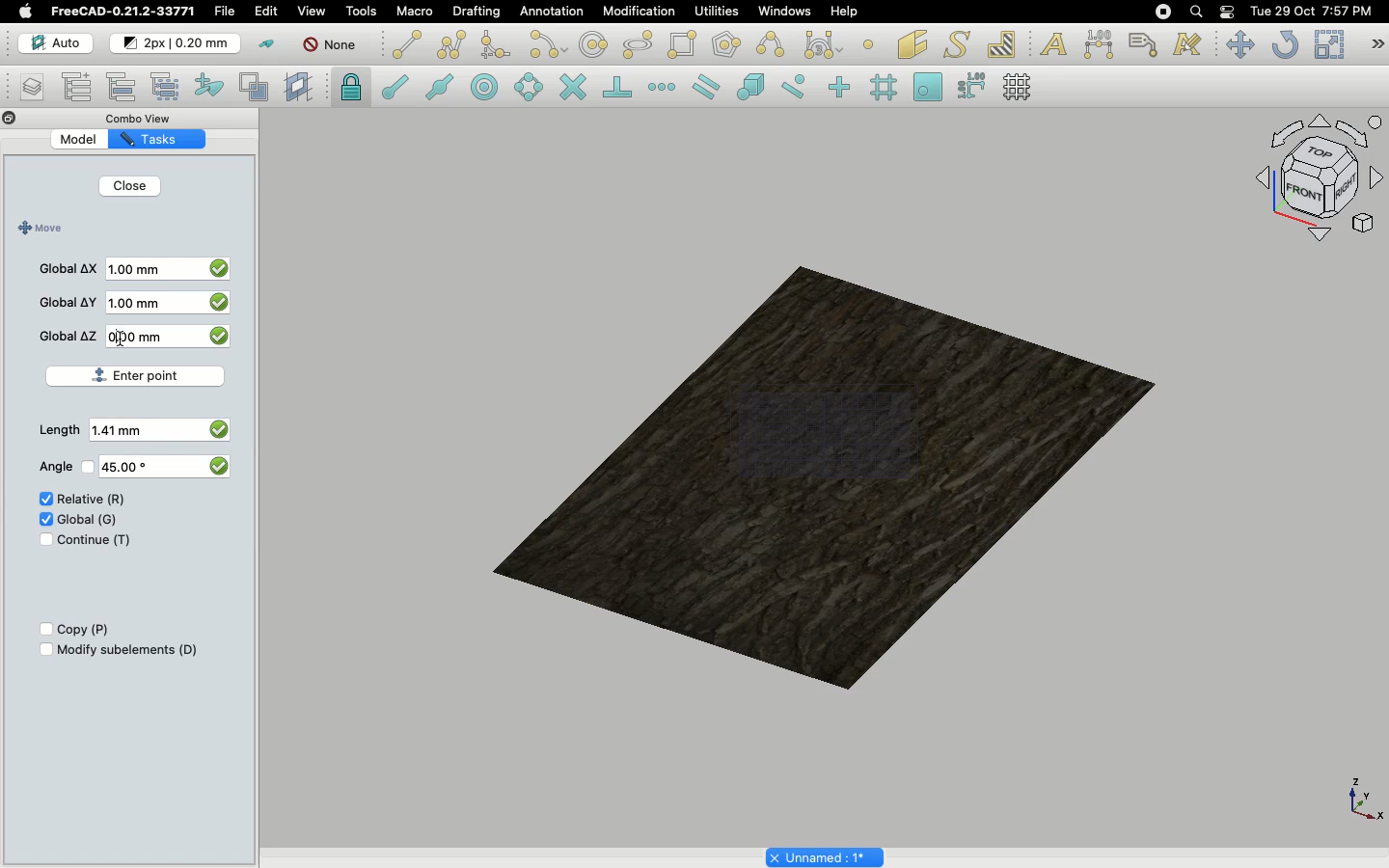 The height and width of the screenshot is (868, 1389). Describe the element at coordinates (490, 86) in the screenshot. I see `Snap center` at that location.